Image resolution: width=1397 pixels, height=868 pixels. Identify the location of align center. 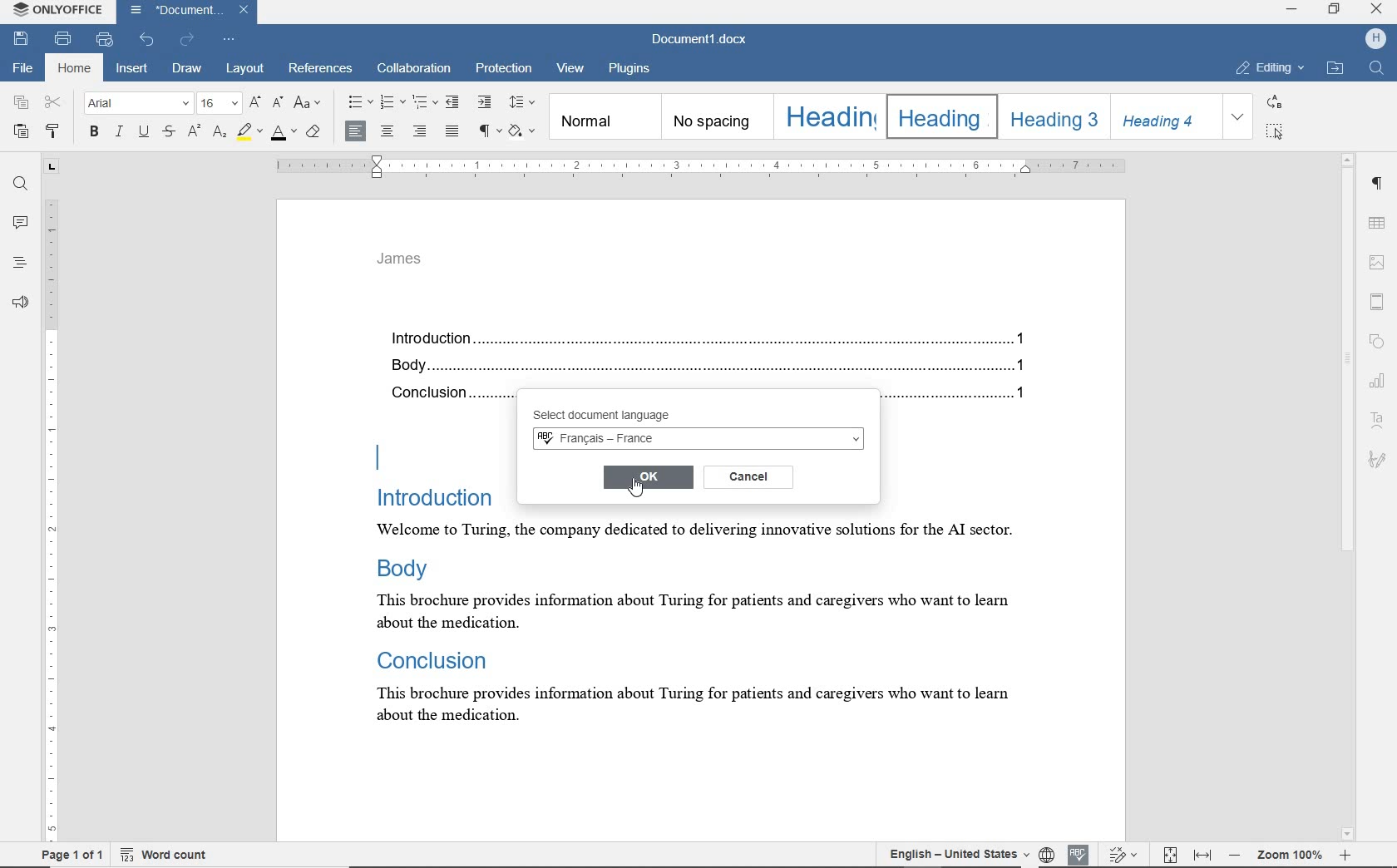
(387, 132).